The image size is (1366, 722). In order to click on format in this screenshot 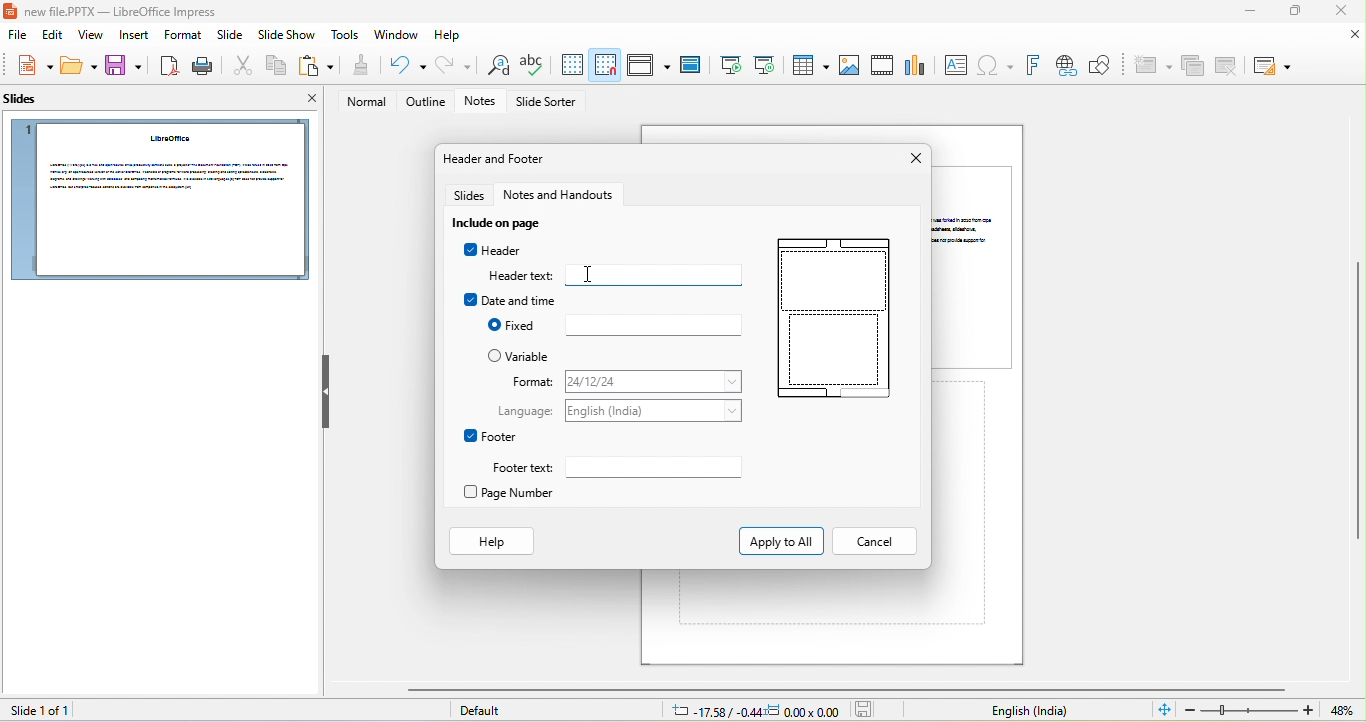, I will do `click(182, 35)`.